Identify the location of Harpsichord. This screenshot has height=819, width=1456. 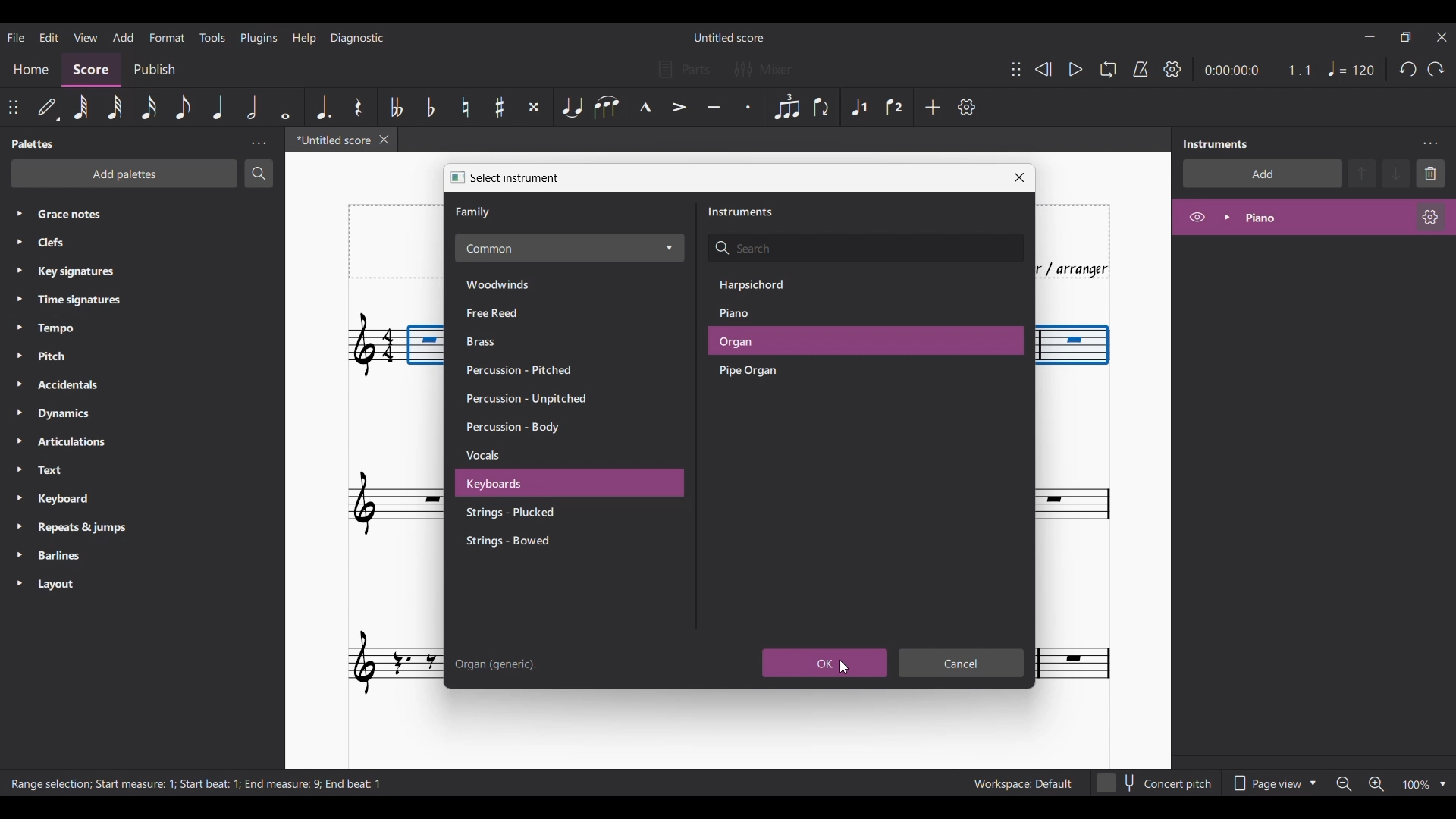
(767, 284).